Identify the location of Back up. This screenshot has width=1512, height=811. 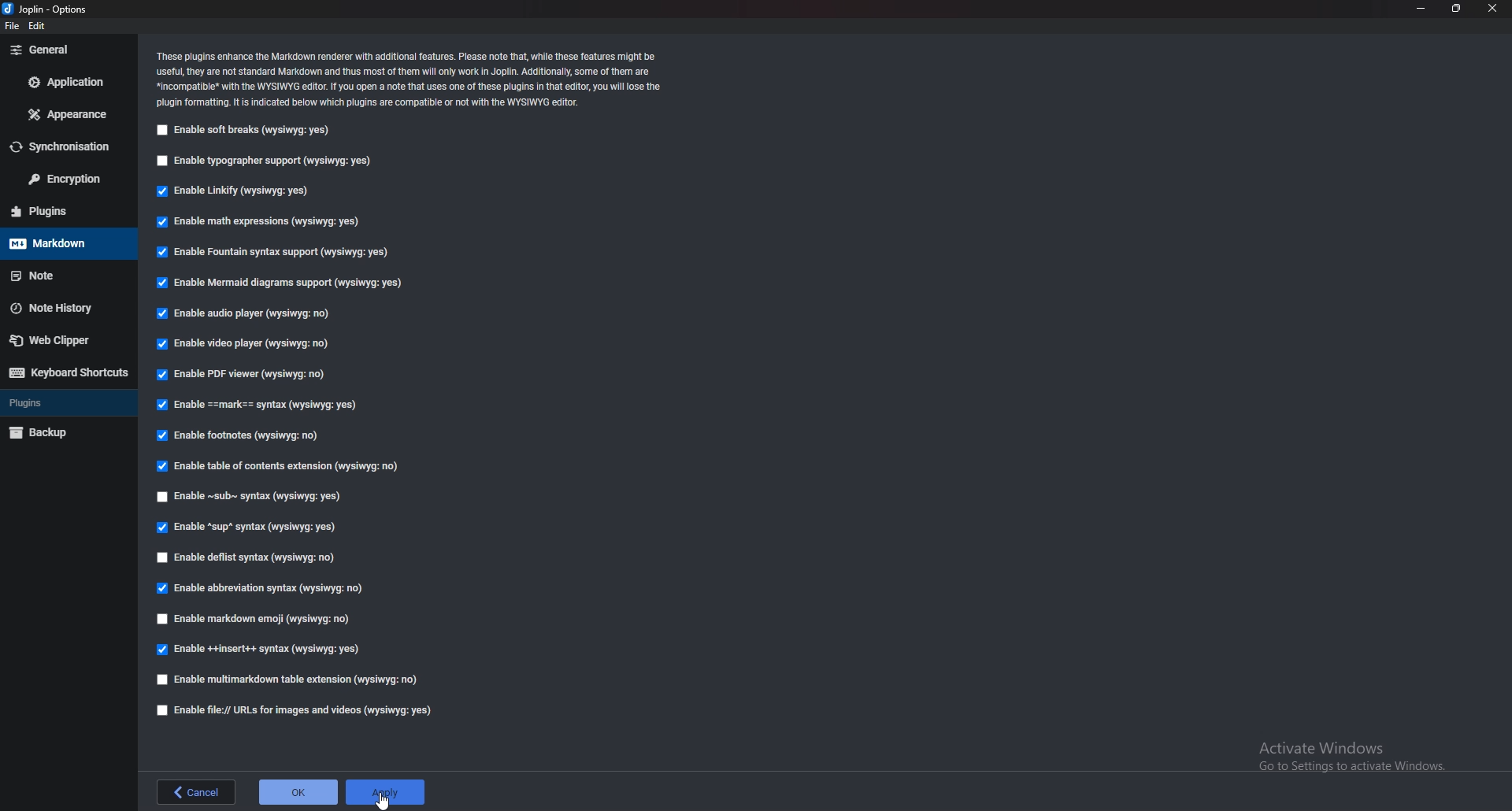
(63, 433).